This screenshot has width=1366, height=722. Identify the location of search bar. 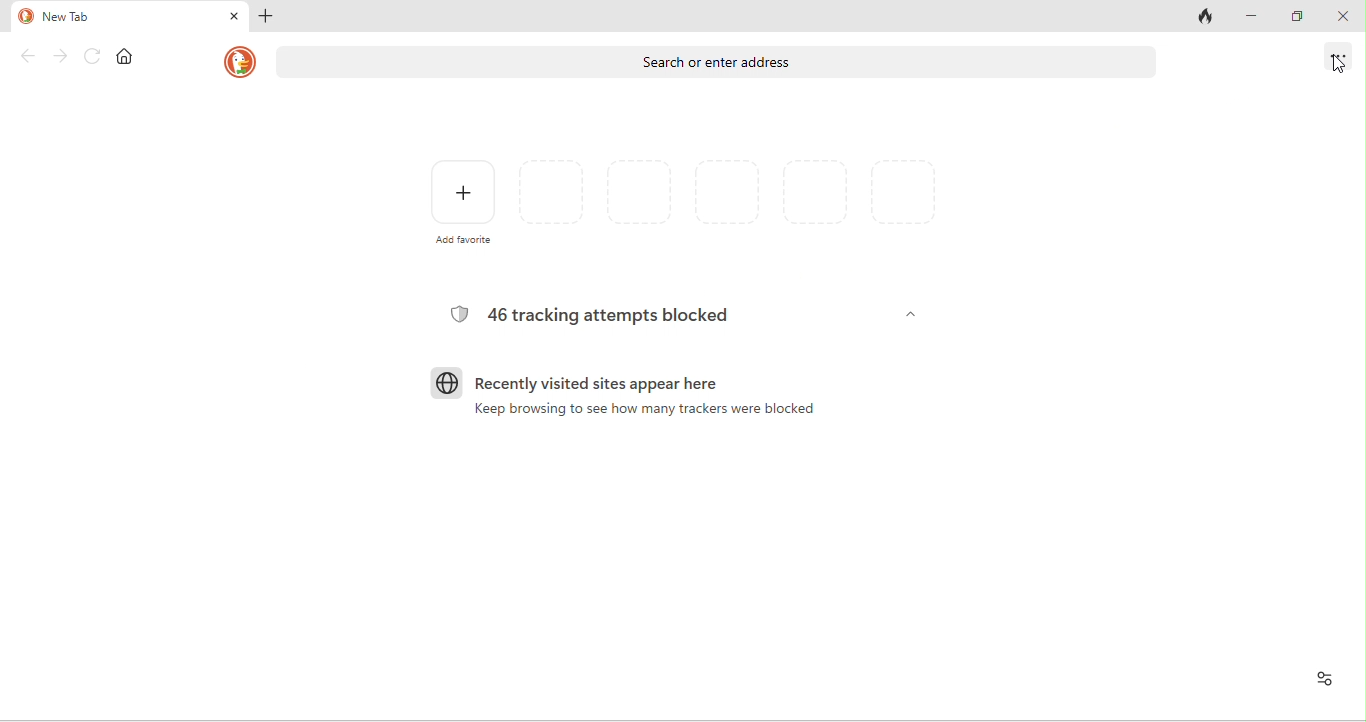
(722, 60).